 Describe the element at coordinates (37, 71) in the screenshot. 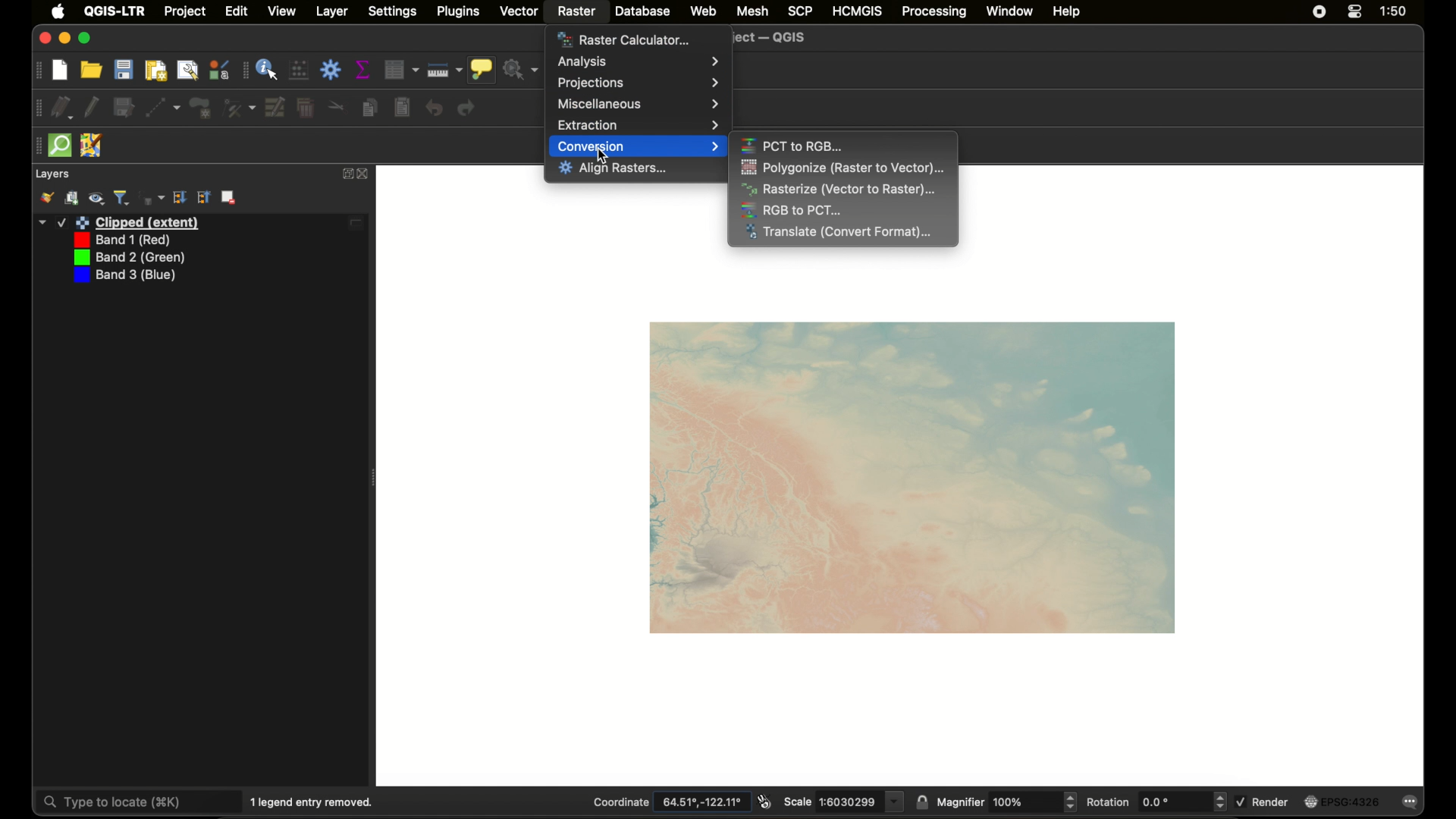

I see `drag handle` at that location.